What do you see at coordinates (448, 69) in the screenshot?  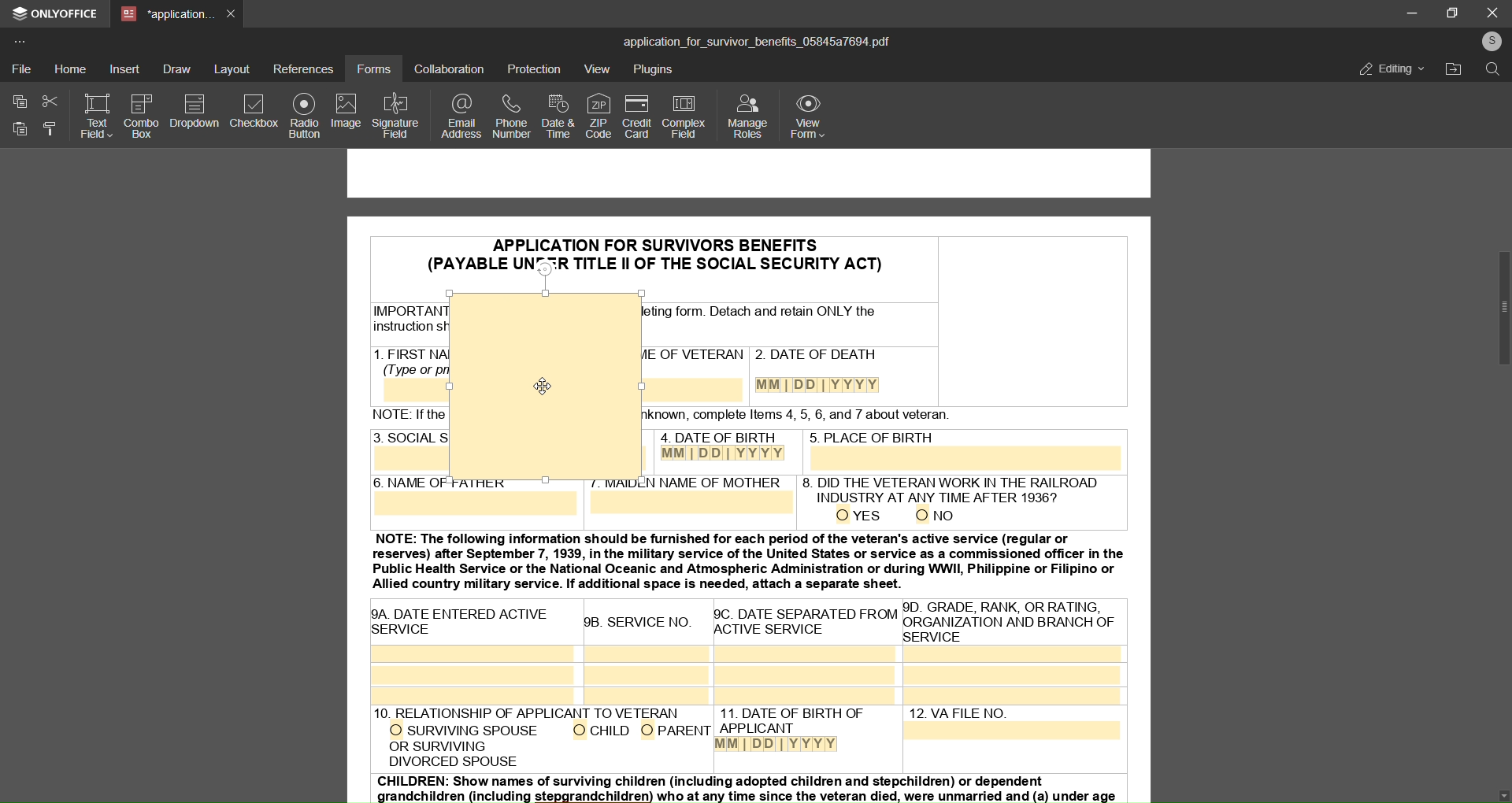 I see `collaboration` at bounding box center [448, 69].